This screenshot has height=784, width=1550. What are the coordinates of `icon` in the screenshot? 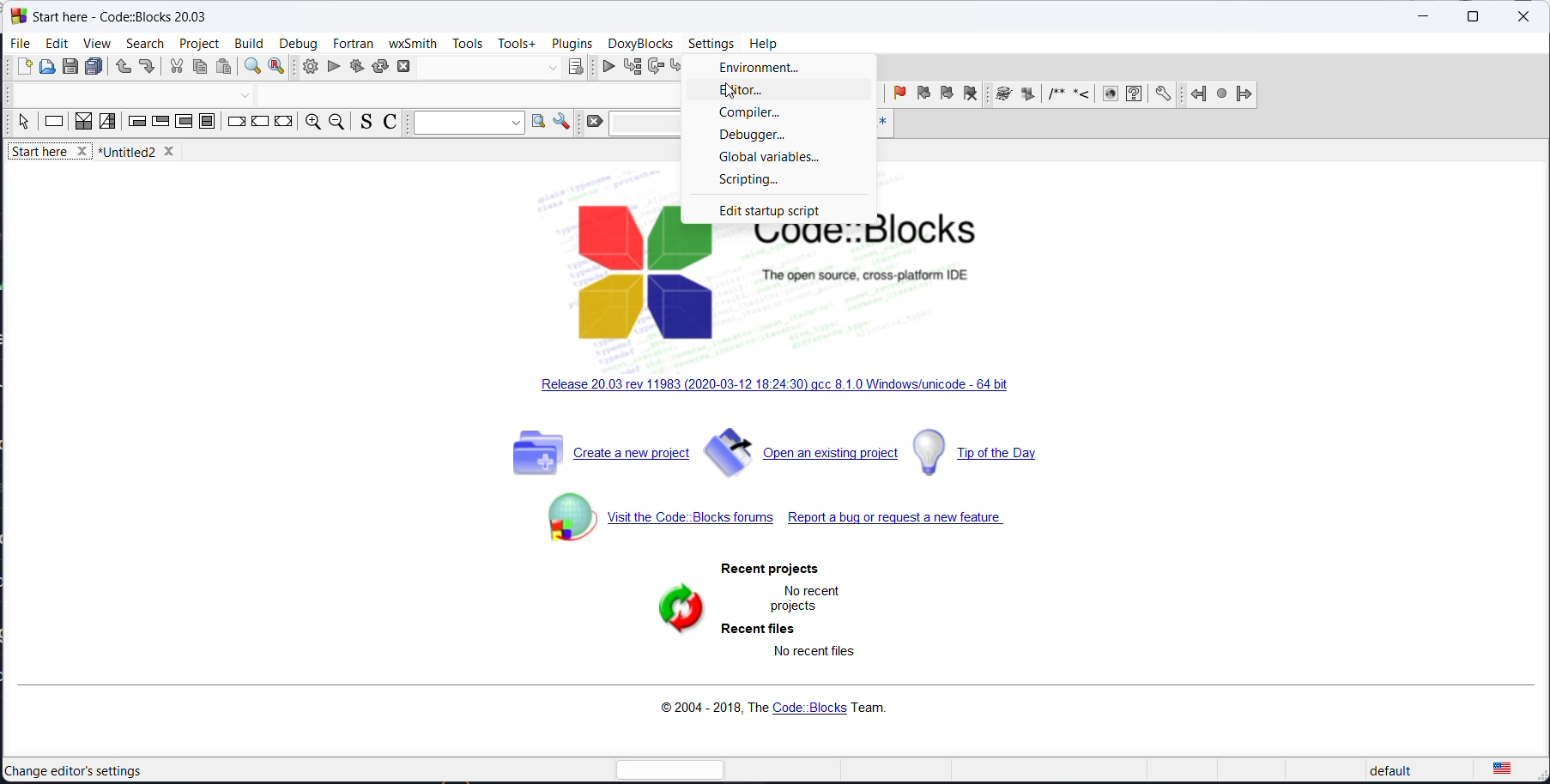 It's located at (1002, 95).